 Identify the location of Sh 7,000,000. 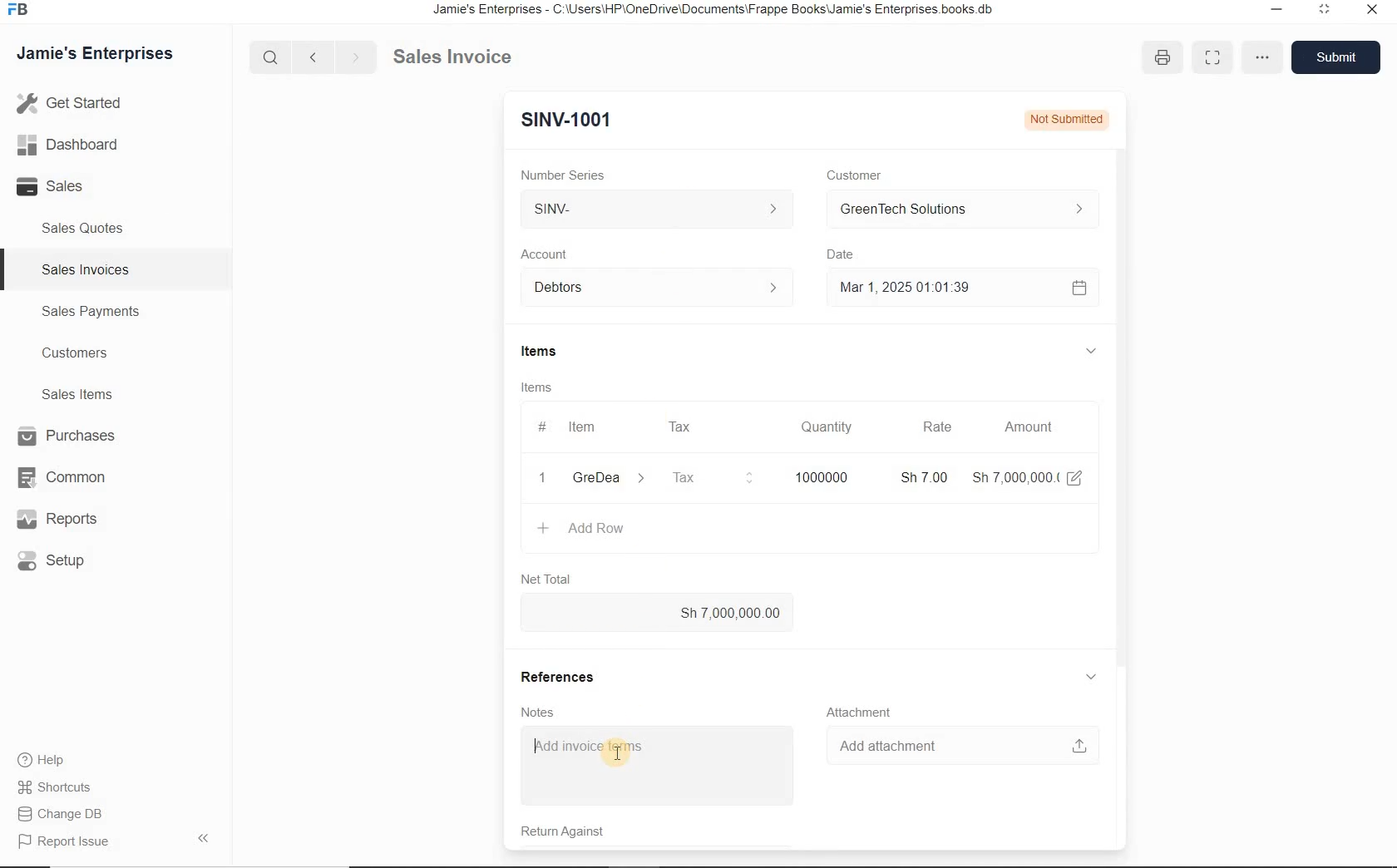
(1013, 477).